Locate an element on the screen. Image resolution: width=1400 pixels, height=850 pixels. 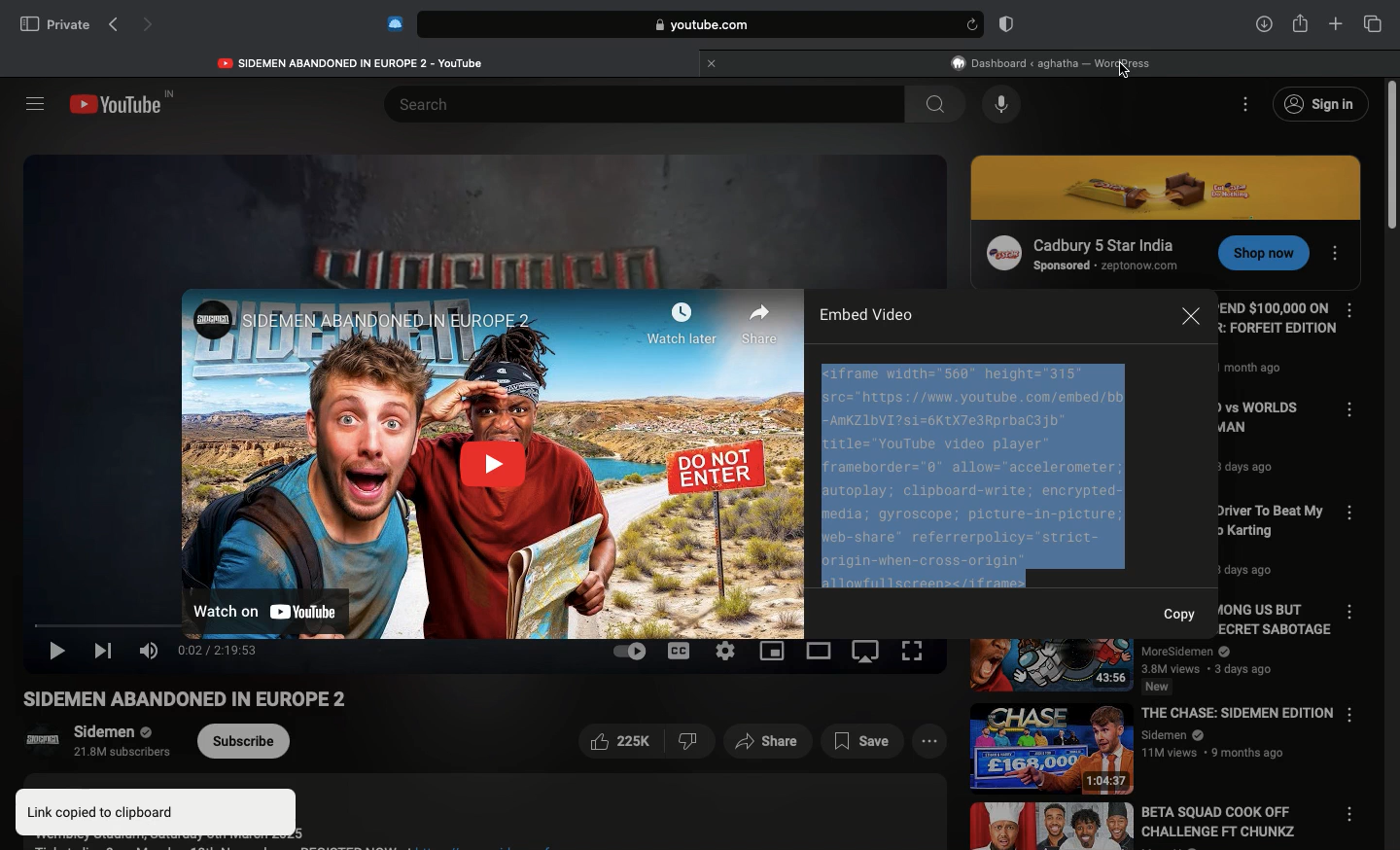
Save is located at coordinates (864, 742).